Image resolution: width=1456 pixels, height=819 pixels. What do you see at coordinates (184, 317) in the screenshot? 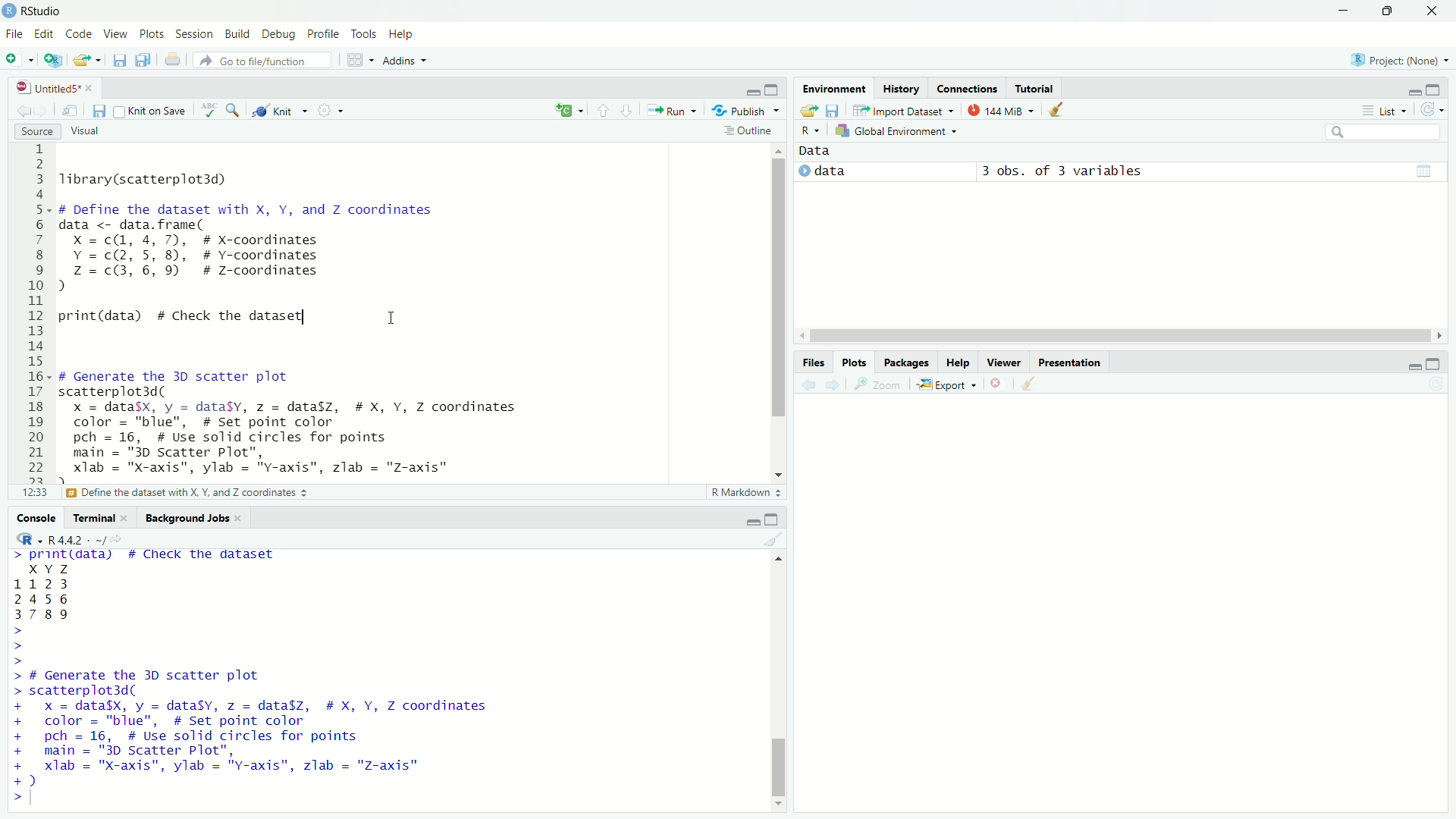
I see `orint(data) # Check the dataset` at bounding box center [184, 317].